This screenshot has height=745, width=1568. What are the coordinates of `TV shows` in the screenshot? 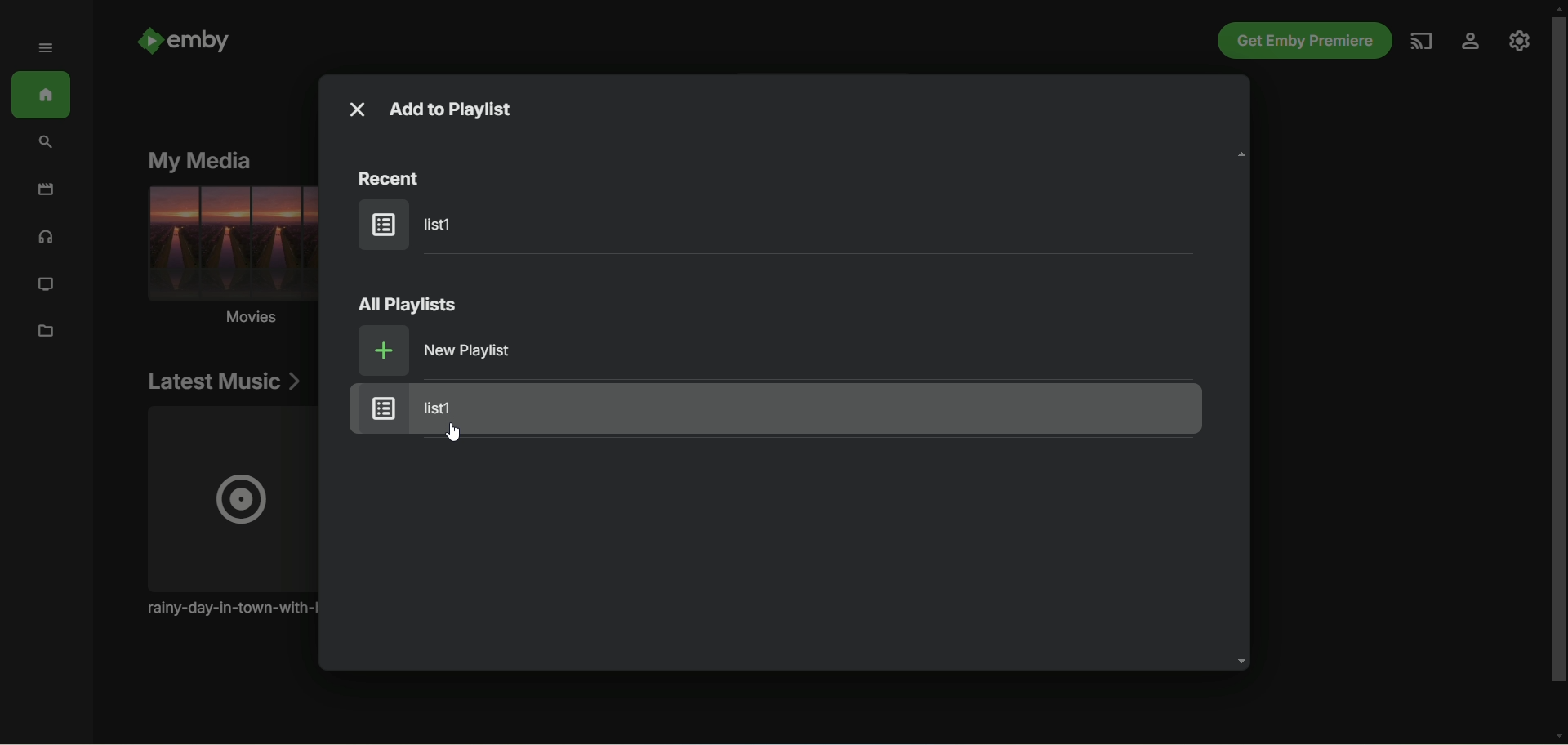 It's located at (45, 285).